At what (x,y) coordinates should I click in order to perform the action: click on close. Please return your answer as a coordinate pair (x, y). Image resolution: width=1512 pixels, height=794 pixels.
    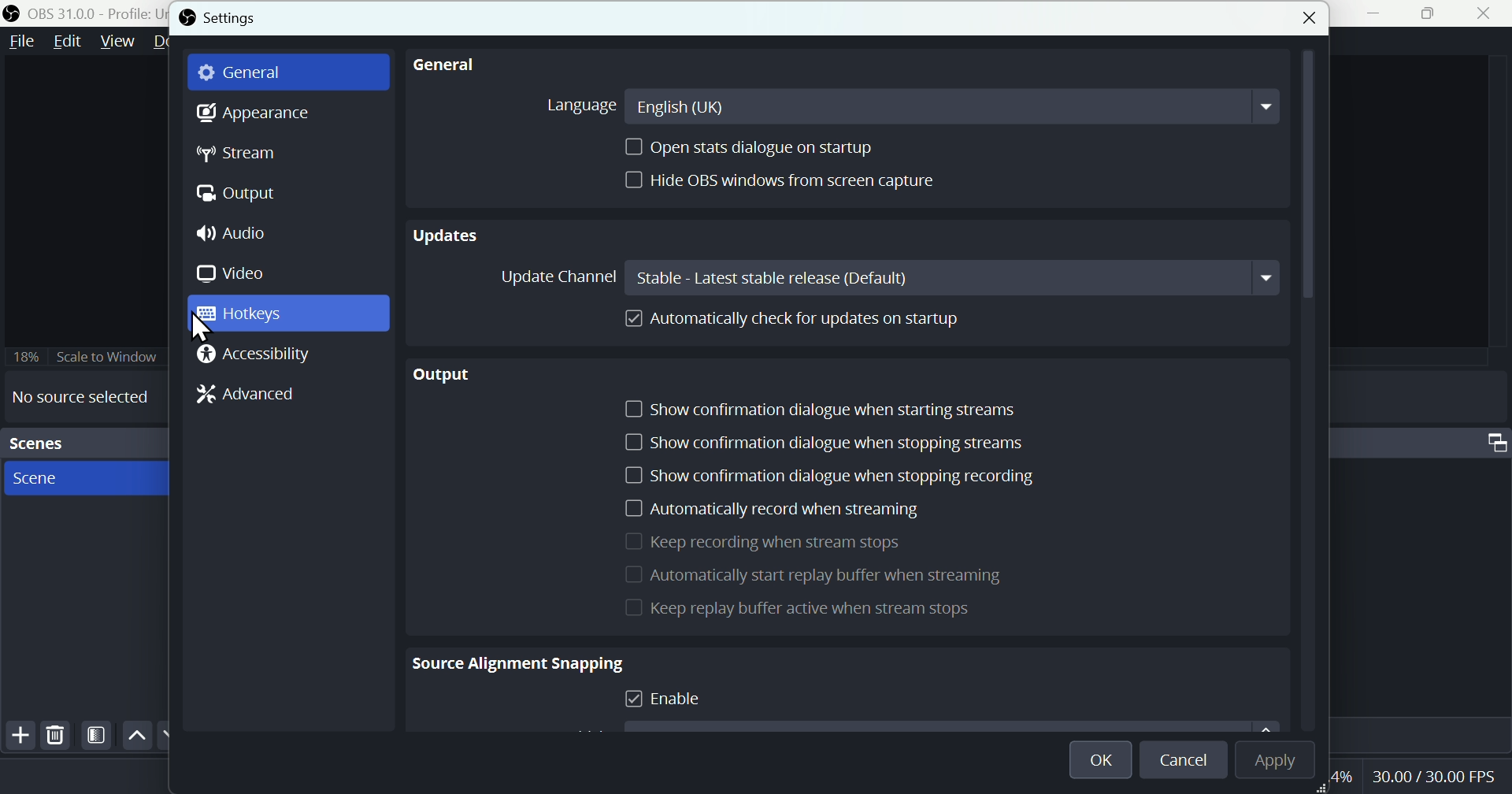
    Looking at the image, I should click on (1488, 13).